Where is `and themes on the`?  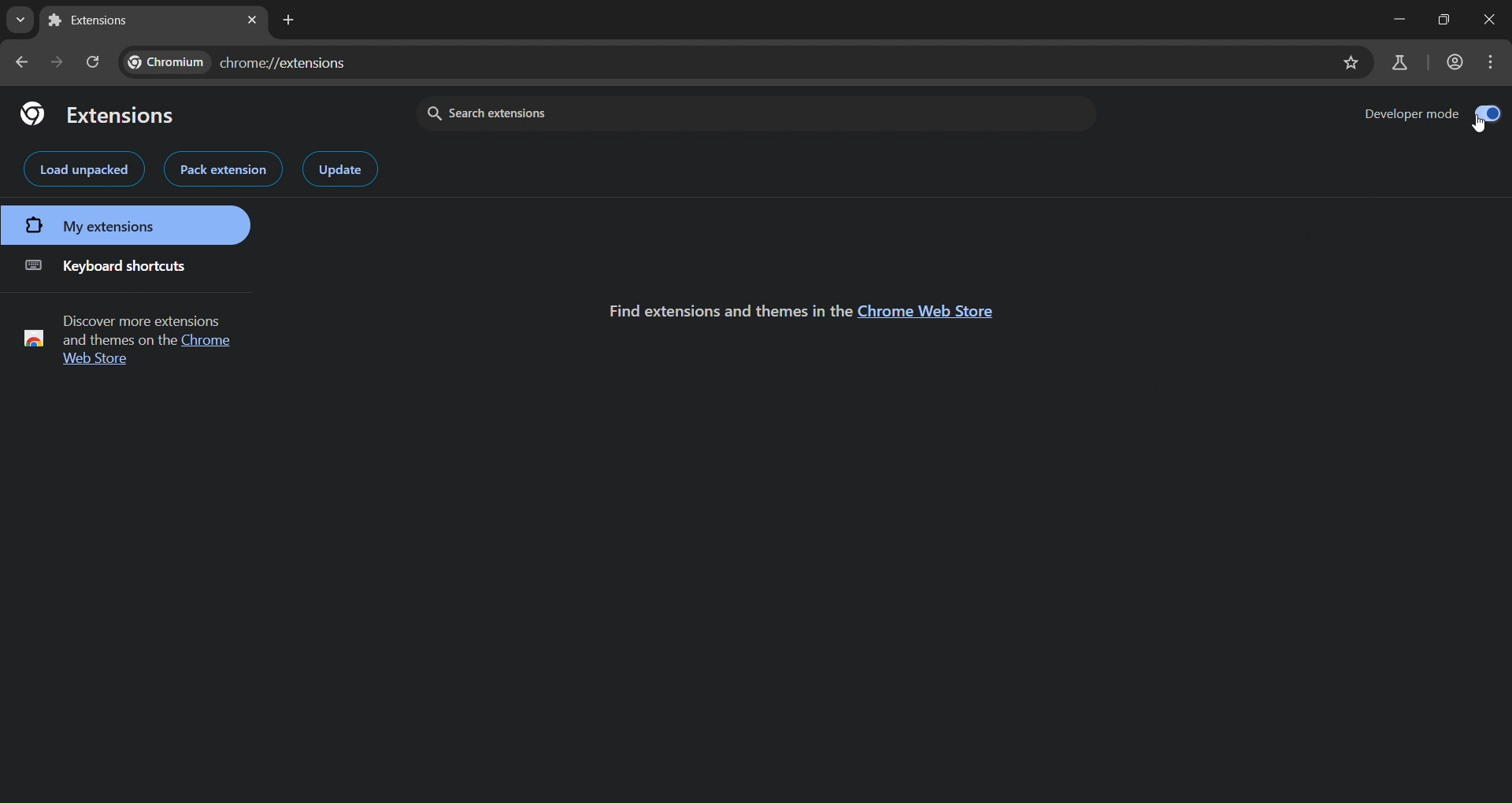
and themes on the is located at coordinates (117, 341).